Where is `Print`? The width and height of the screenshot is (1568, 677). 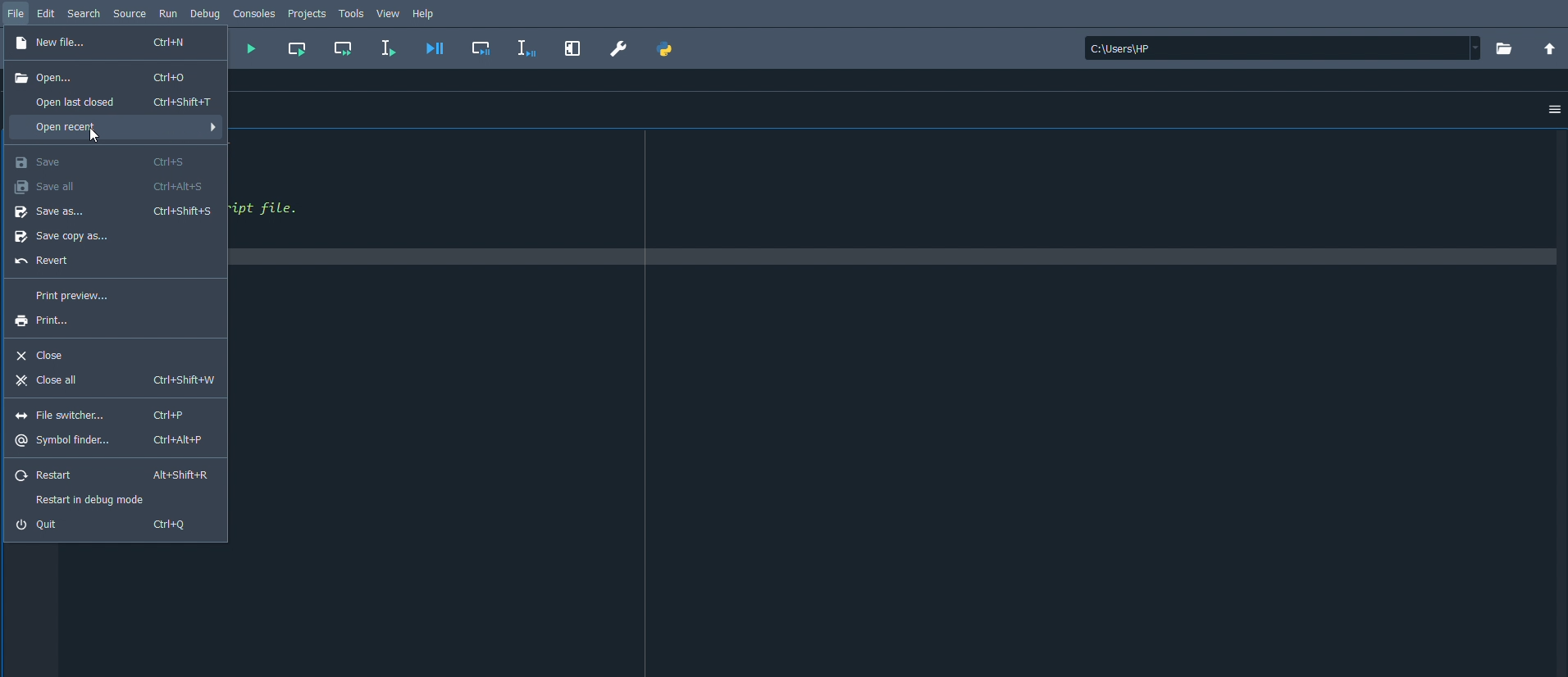
Print is located at coordinates (52, 321).